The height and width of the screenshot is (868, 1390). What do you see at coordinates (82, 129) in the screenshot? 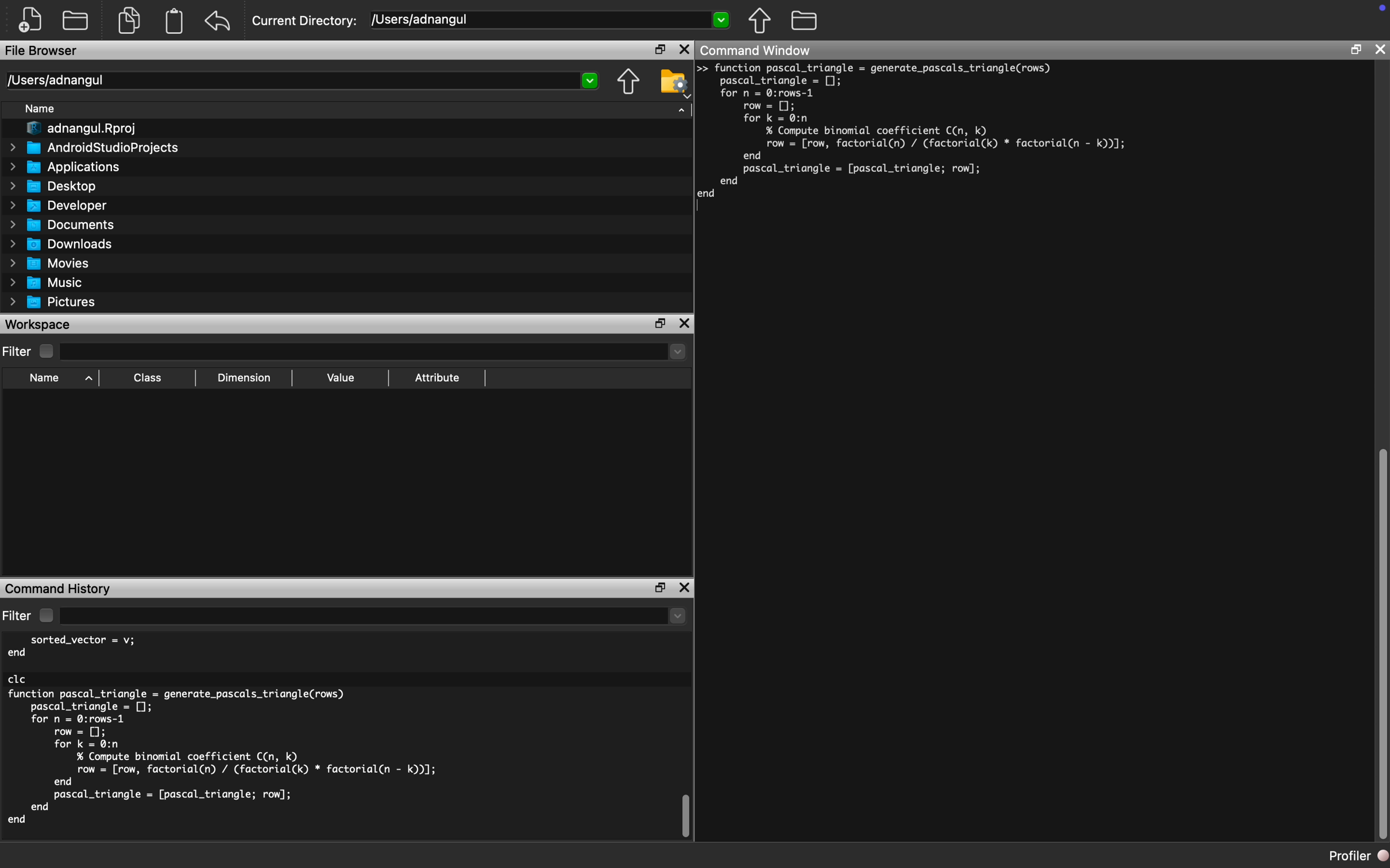
I see `adnangul.Rproj` at bounding box center [82, 129].